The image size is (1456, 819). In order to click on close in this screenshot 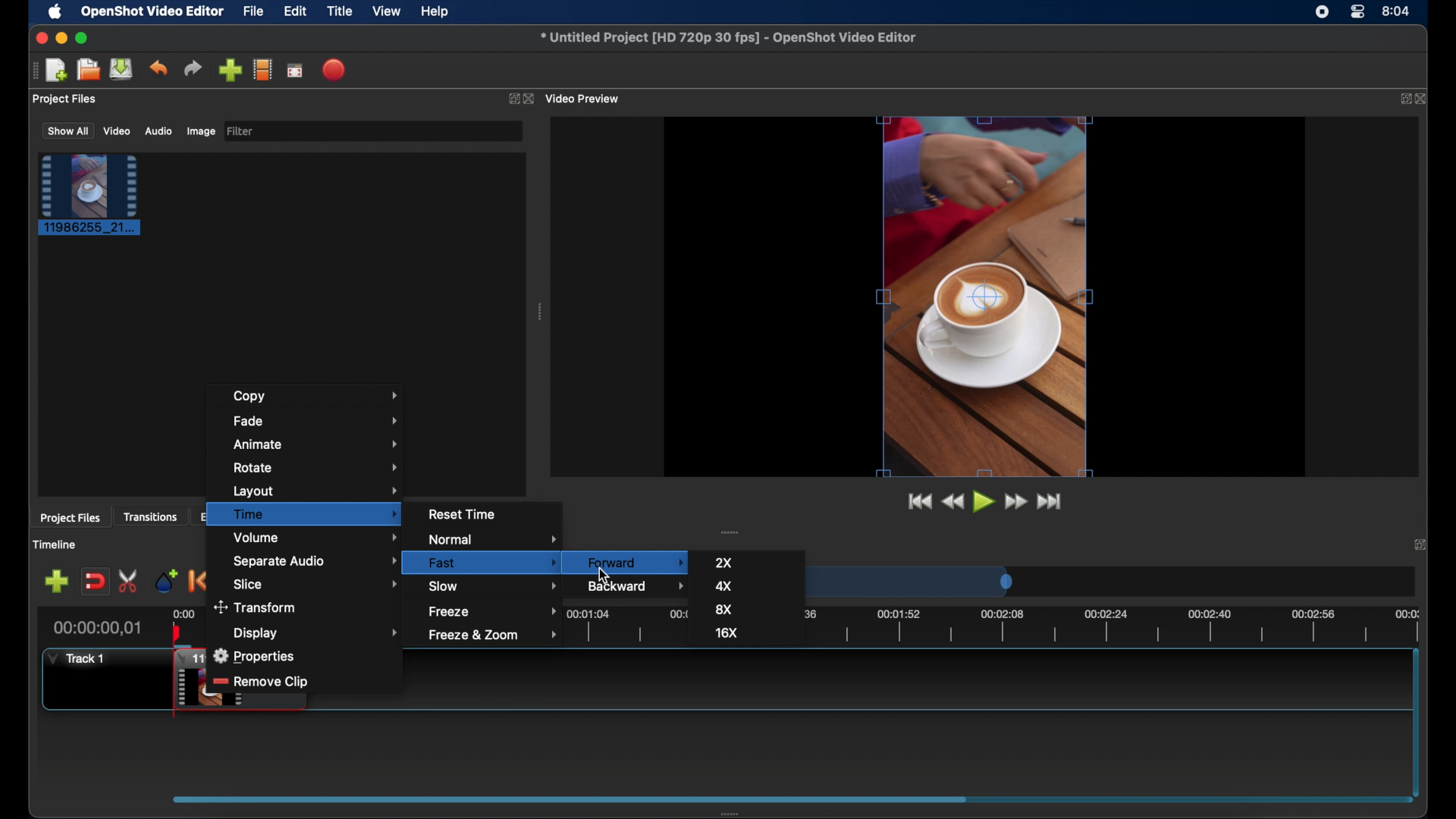, I will do `click(41, 39)`.